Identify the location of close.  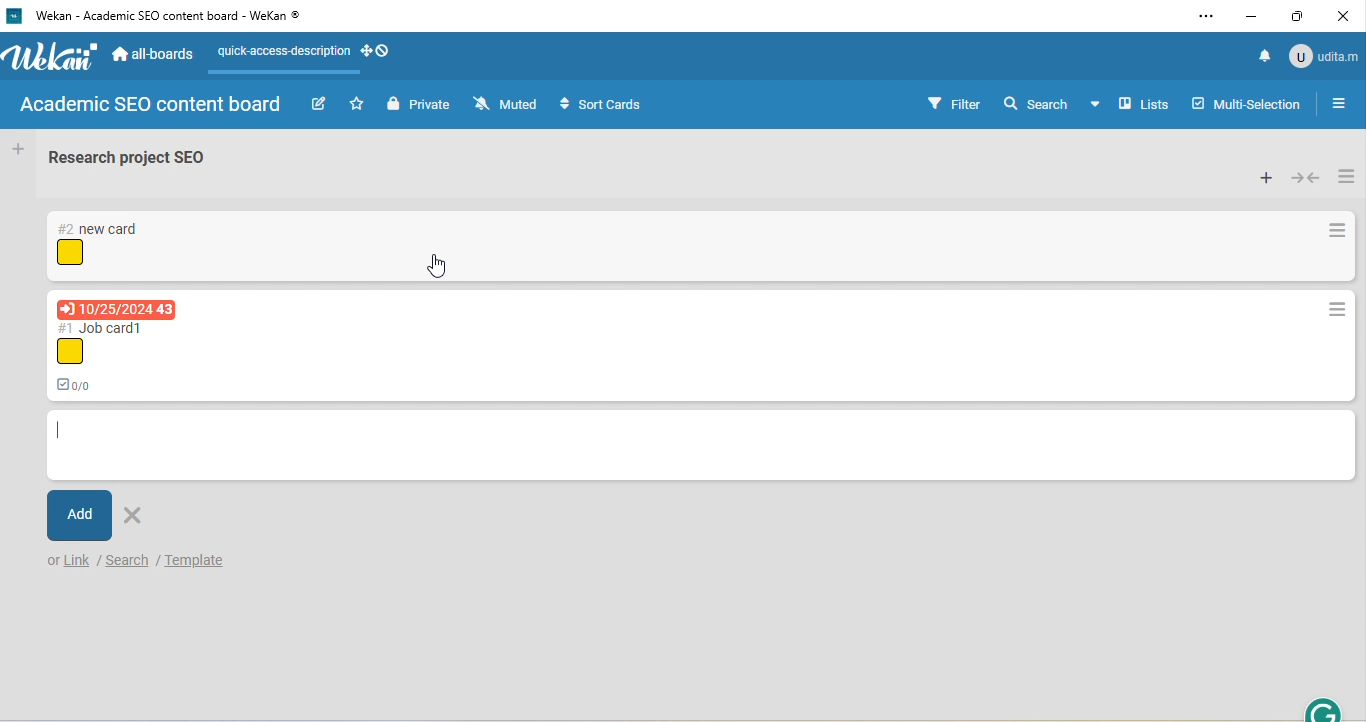
(1346, 14).